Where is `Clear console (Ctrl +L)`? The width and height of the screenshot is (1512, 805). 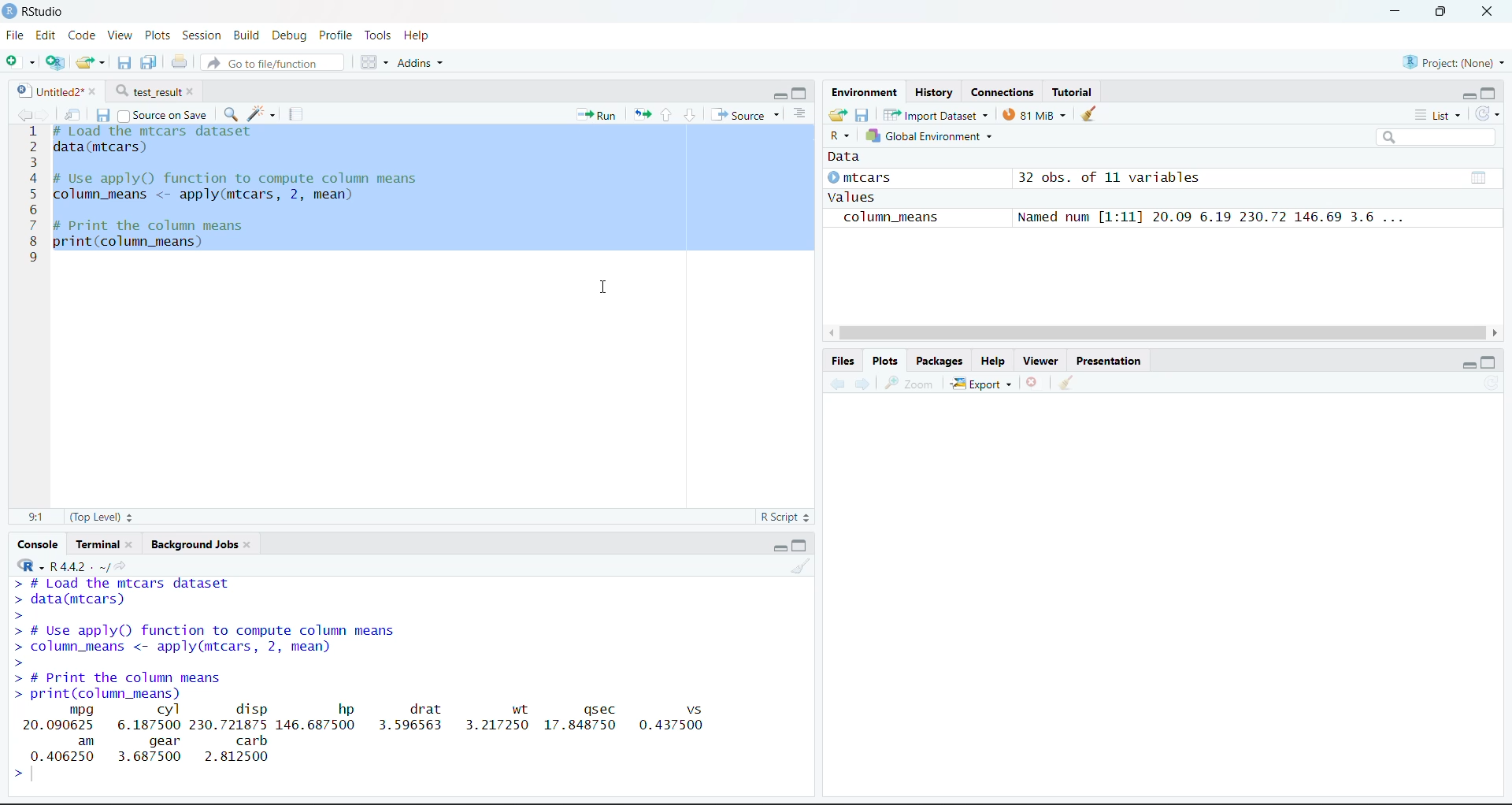 Clear console (Ctrl +L) is located at coordinates (1097, 114).